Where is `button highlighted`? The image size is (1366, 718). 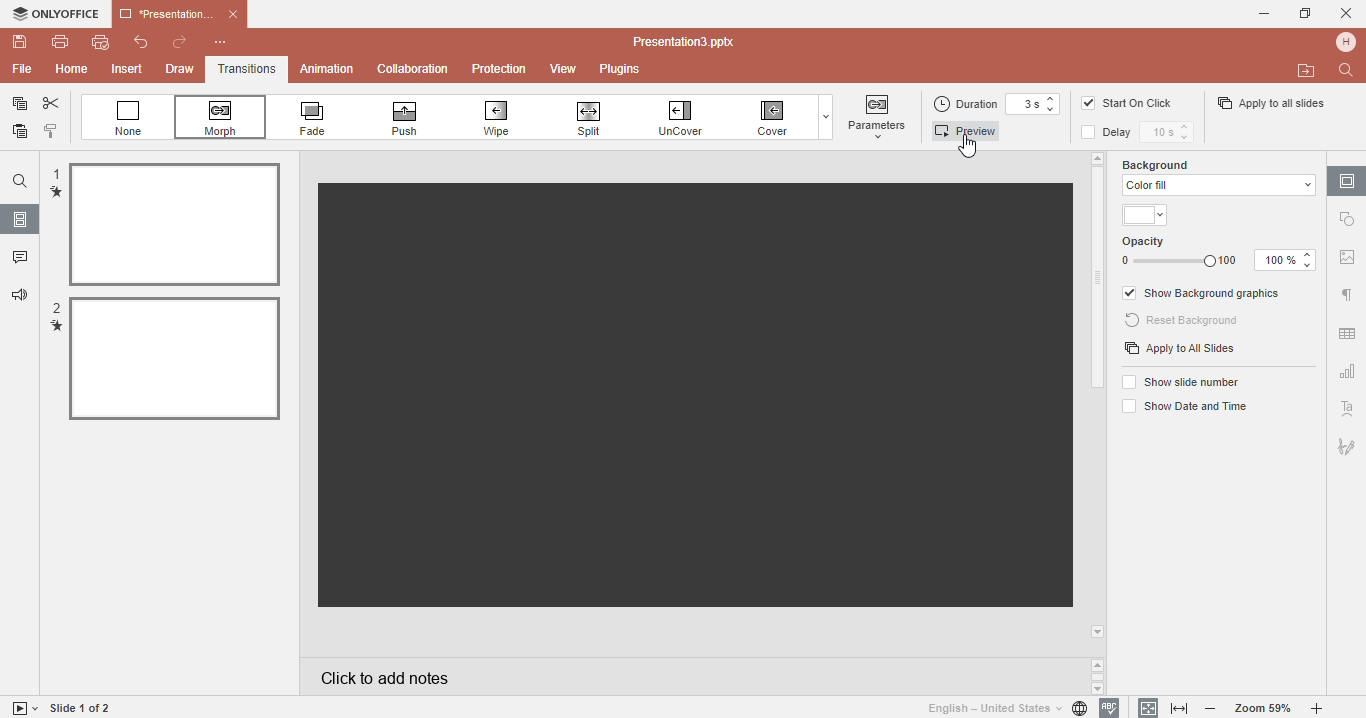 button highlighted is located at coordinates (878, 116).